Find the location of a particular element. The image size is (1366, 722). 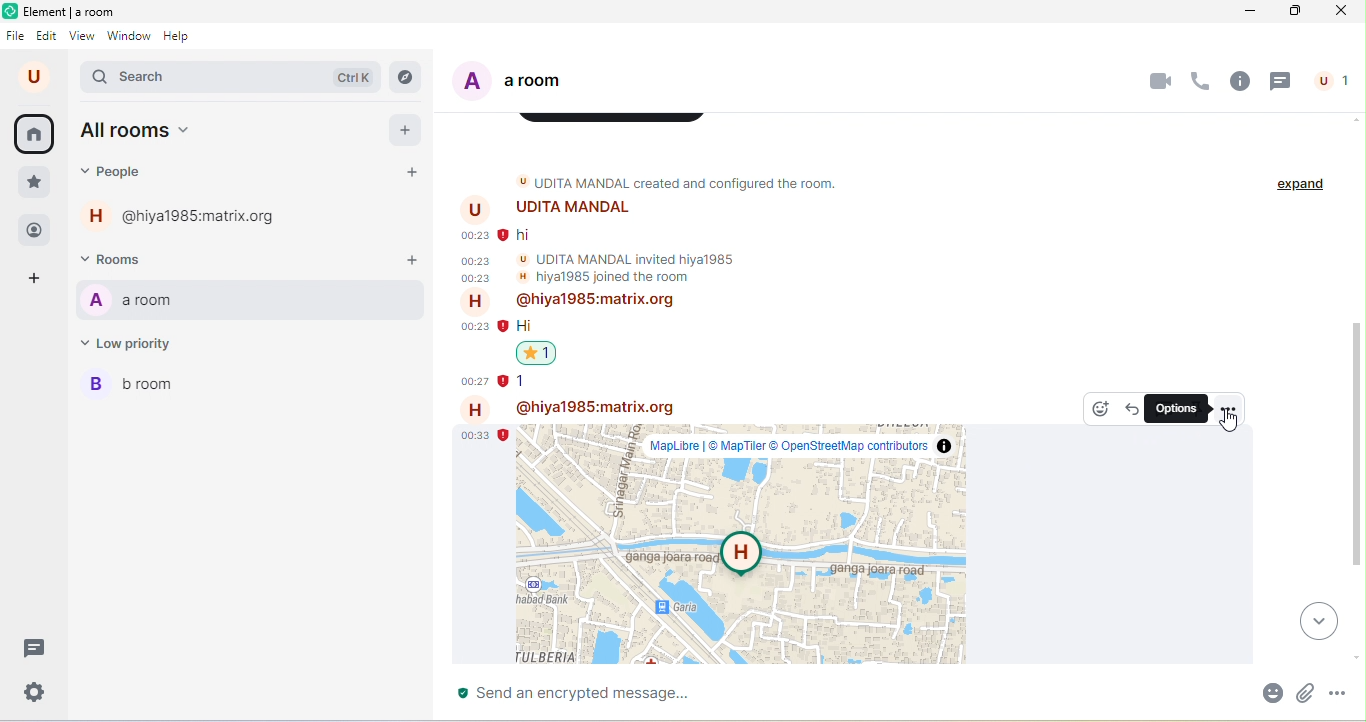

window is located at coordinates (128, 37).